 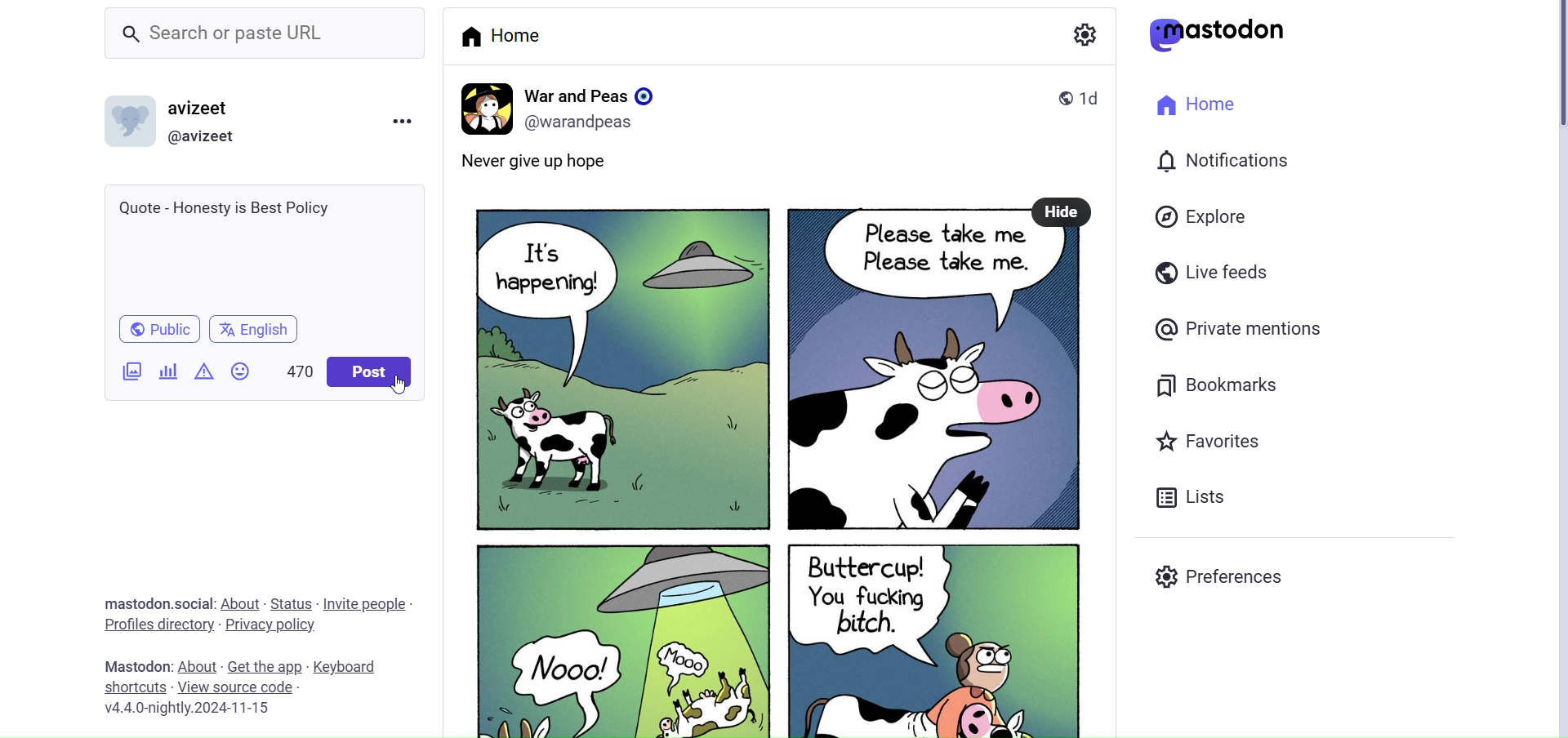 I want to click on avizeet, so click(x=202, y=107).